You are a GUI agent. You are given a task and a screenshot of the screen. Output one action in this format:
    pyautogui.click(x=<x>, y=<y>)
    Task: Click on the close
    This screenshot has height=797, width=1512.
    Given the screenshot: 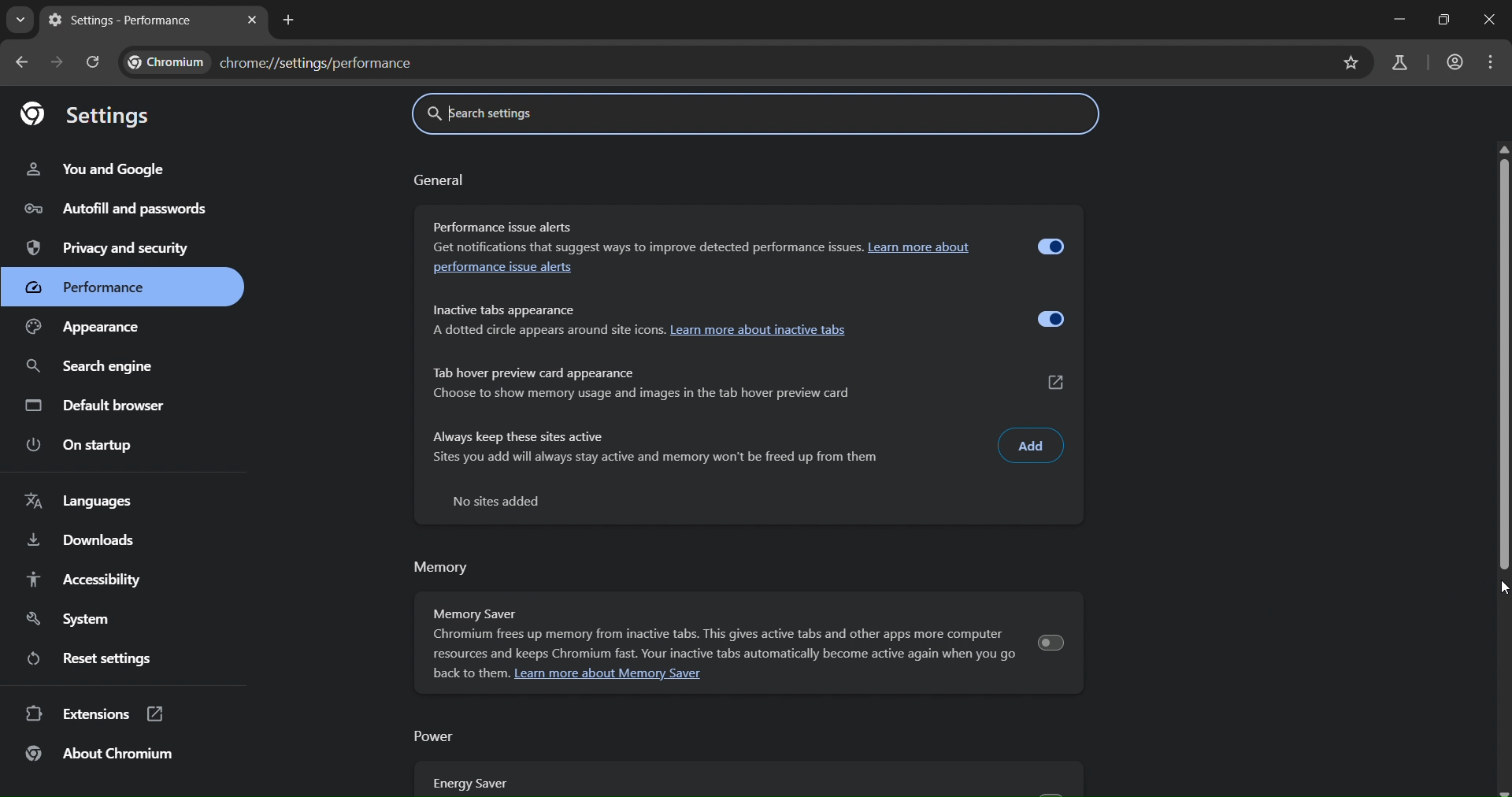 What is the action you would take?
    pyautogui.click(x=1486, y=18)
    